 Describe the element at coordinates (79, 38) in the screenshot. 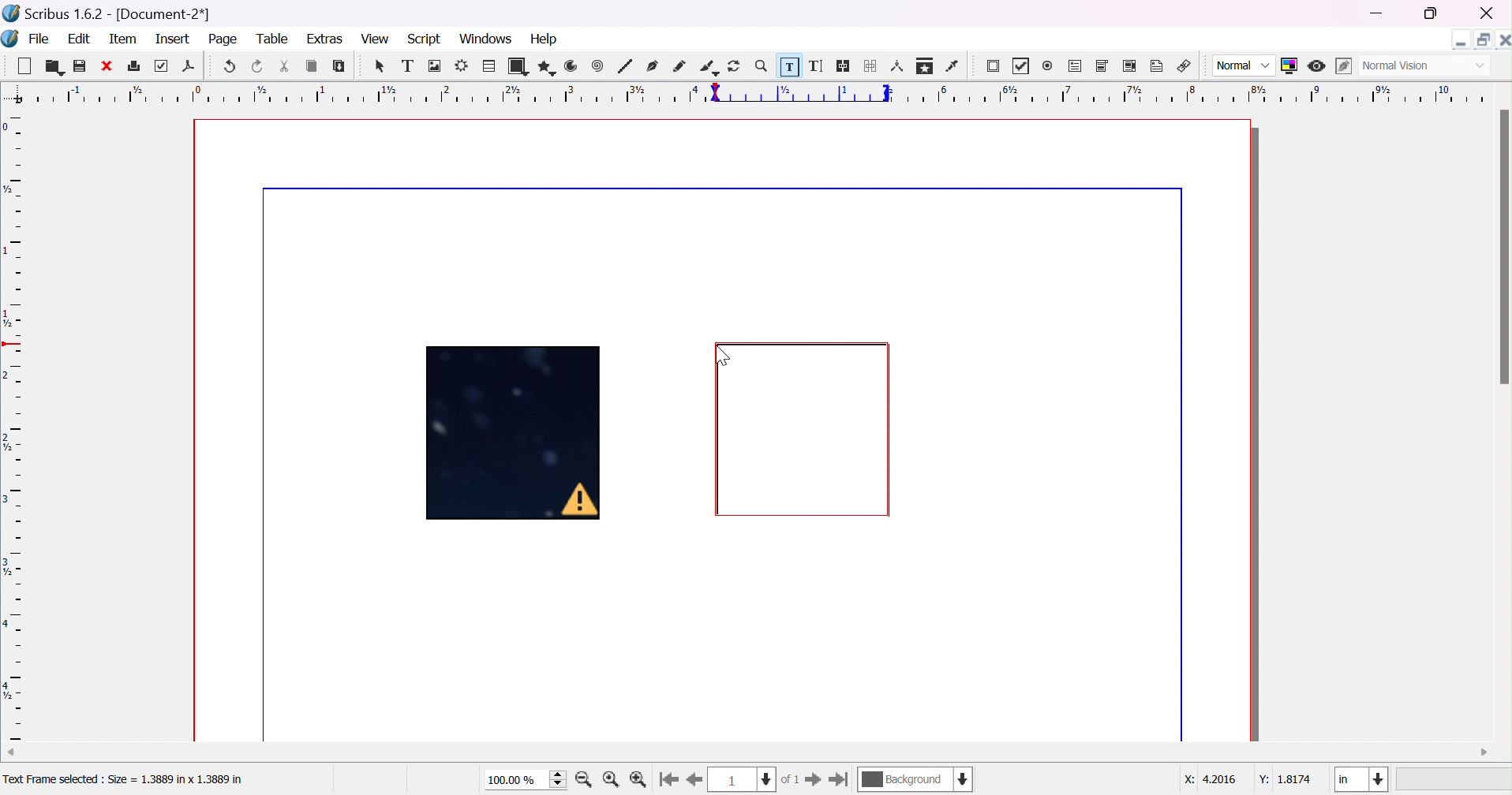

I see `edit` at that location.